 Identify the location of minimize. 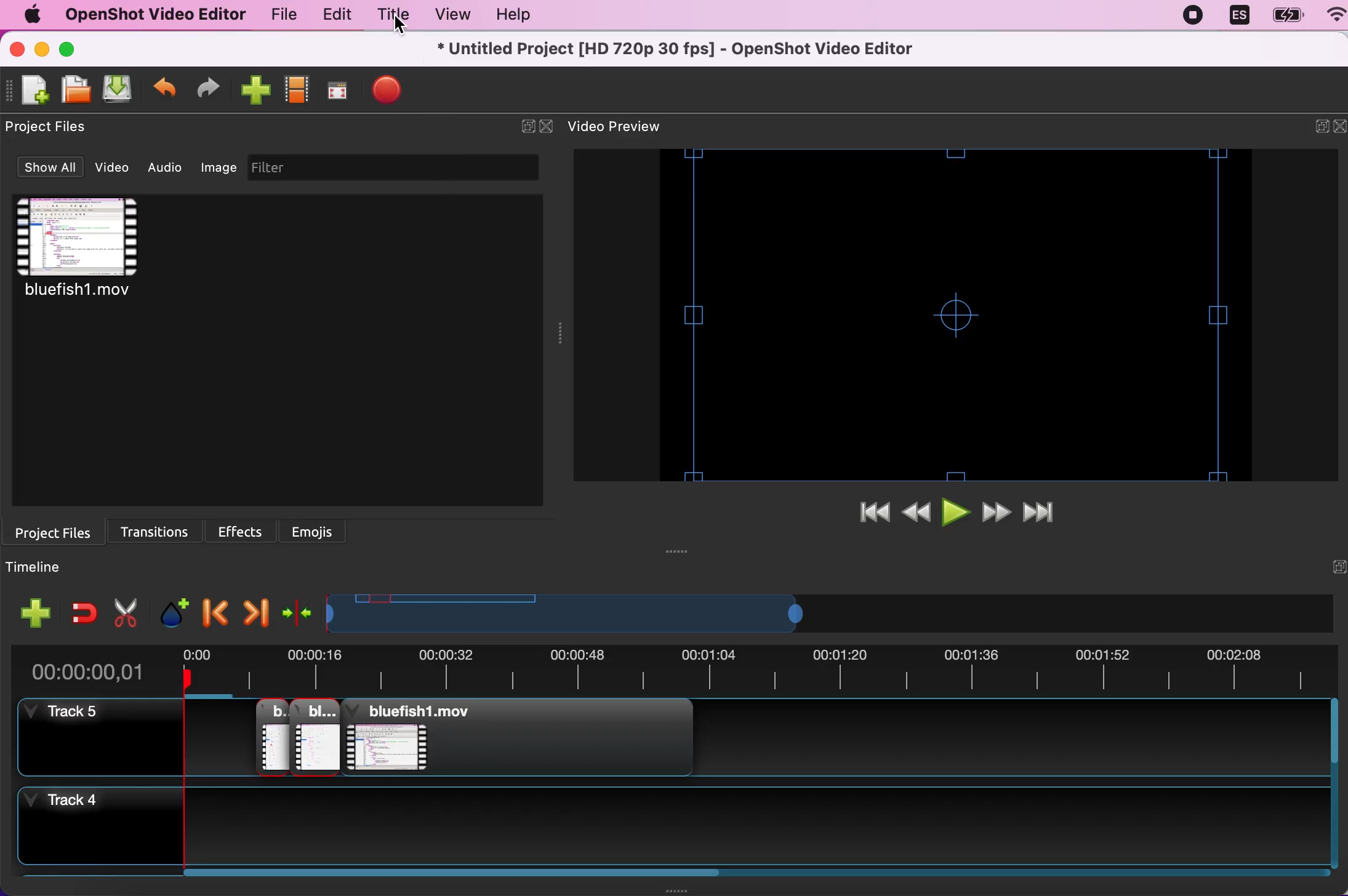
(41, 50).